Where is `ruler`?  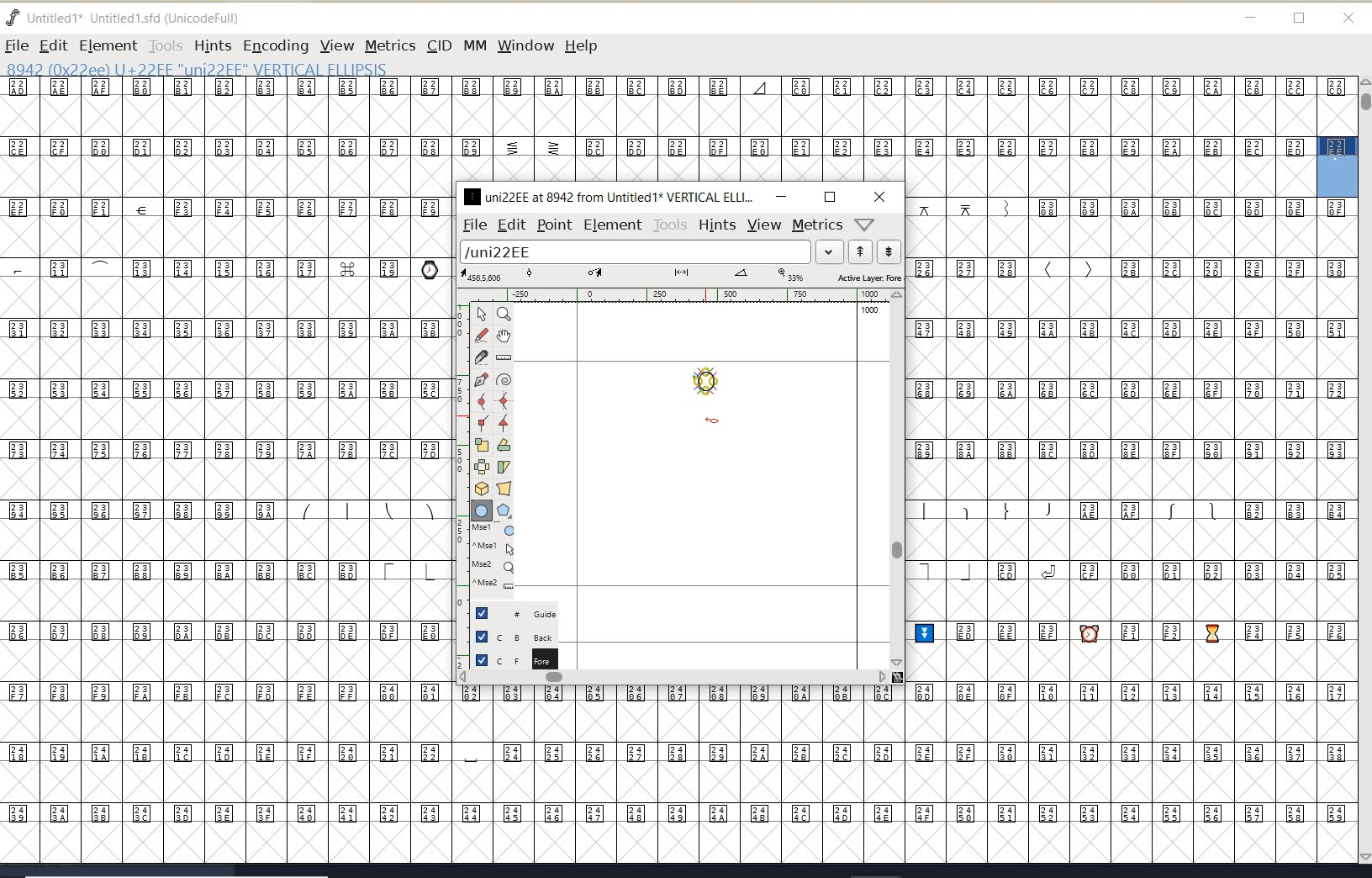
ruler is located at coordinates (674, 297).